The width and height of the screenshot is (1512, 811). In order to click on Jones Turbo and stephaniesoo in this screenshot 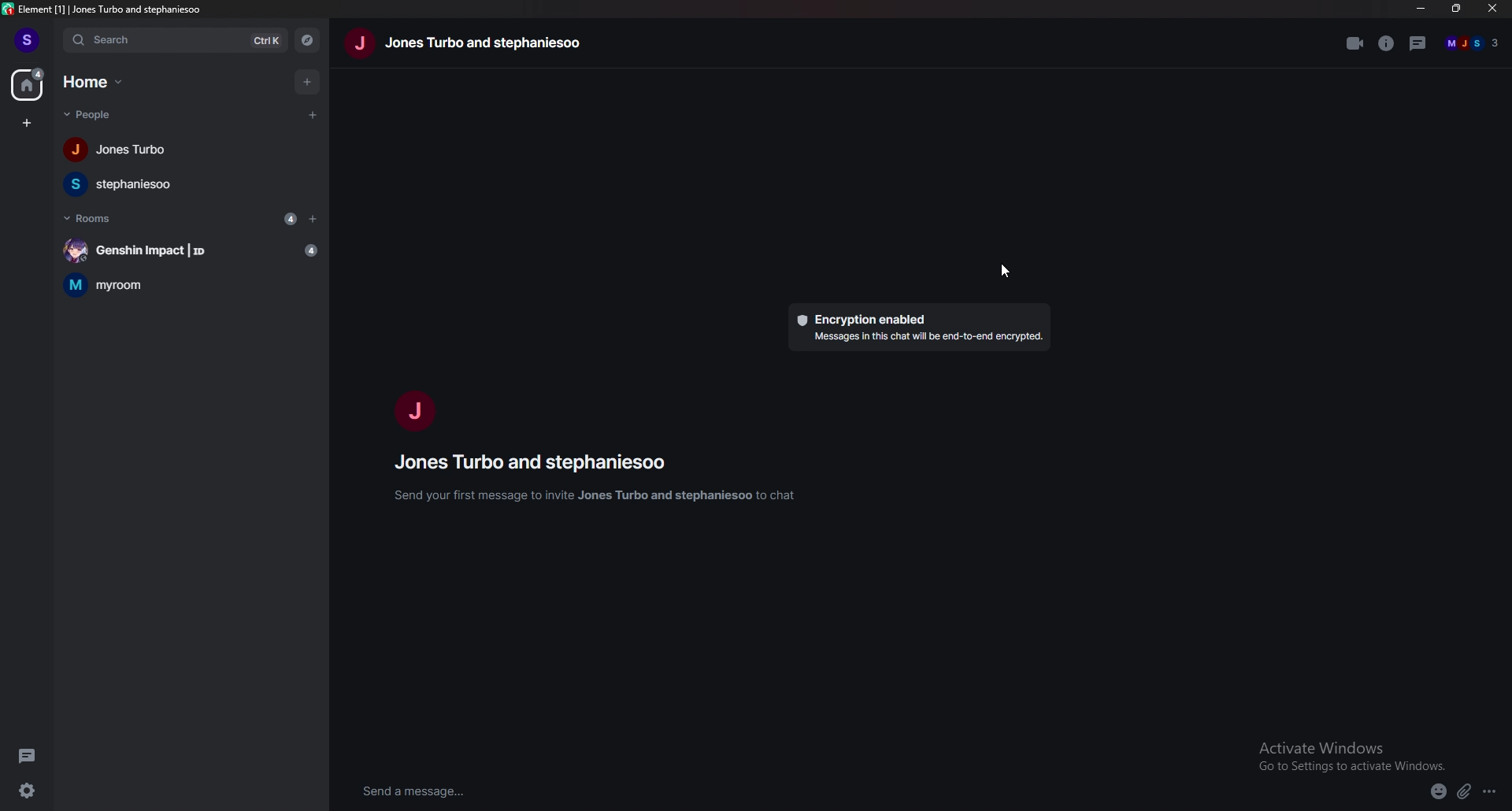, I will do `click(545, 466)`.